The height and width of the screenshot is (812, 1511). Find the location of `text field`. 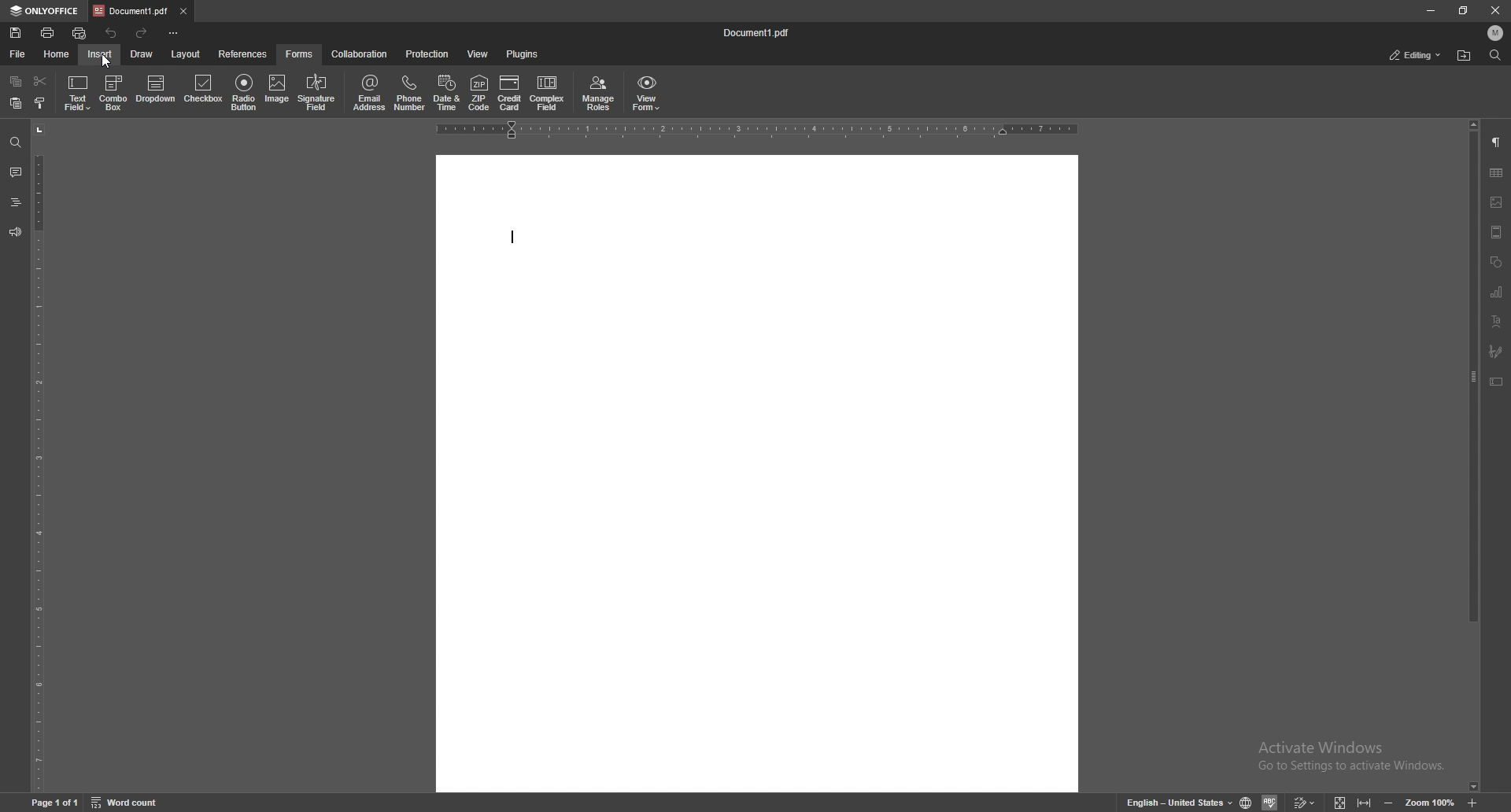

text field is located at coordinates (78, 93).